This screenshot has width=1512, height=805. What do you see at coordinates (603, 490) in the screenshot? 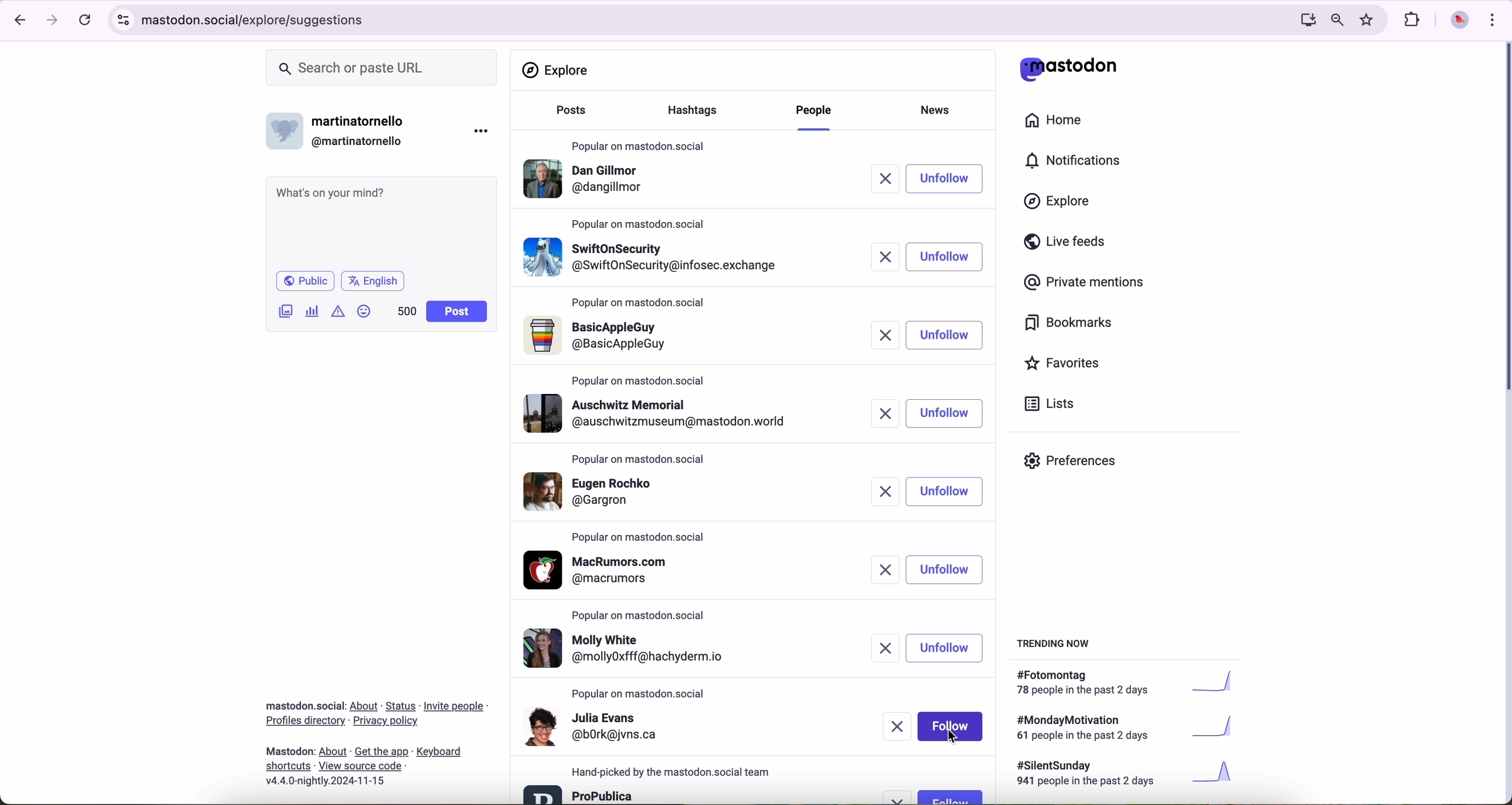
I see `profile` at bounding box center [603, 490].